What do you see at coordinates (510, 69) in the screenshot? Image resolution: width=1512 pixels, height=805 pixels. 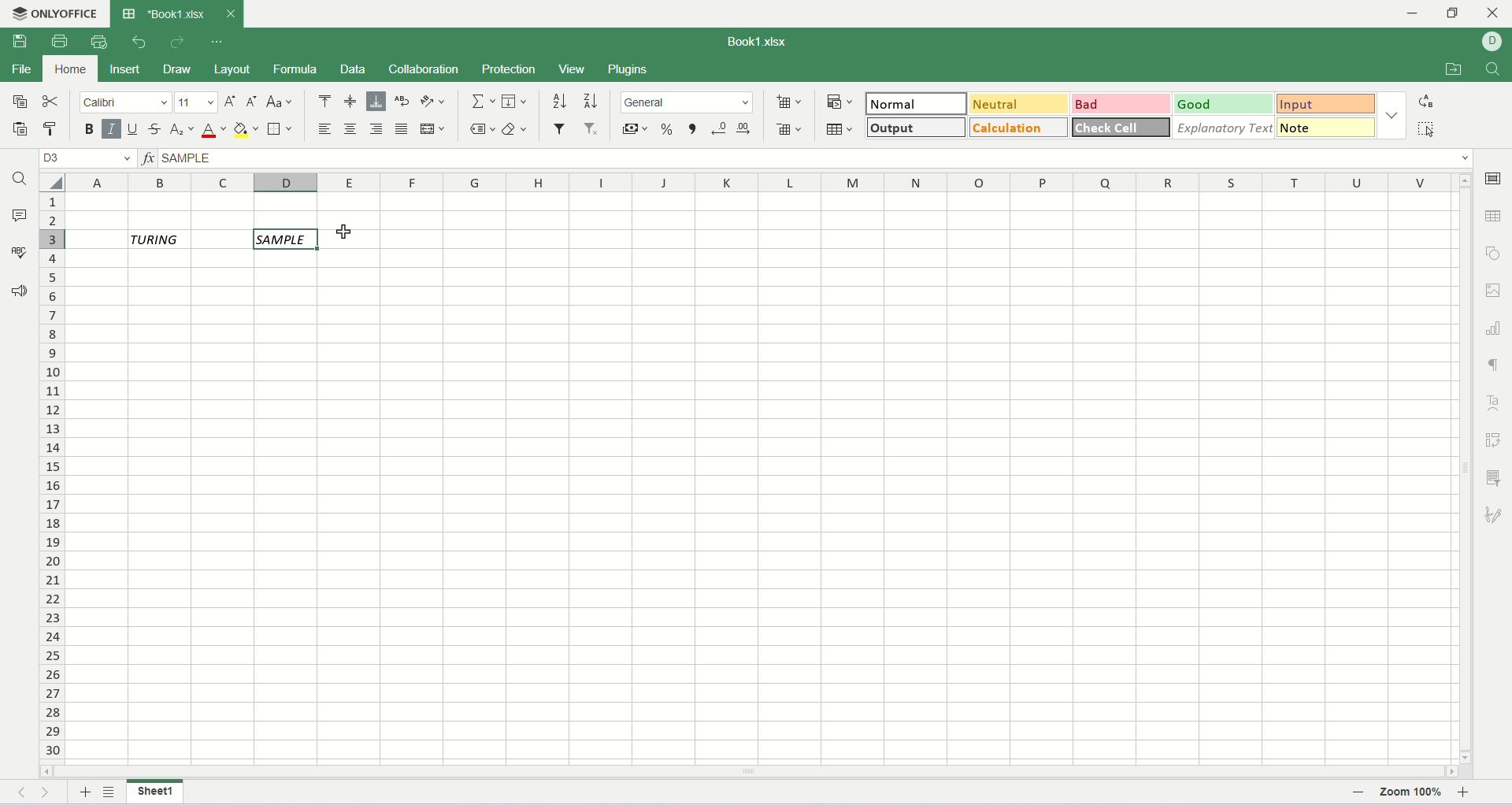 I see `protection` at bounding box center [510, 69].